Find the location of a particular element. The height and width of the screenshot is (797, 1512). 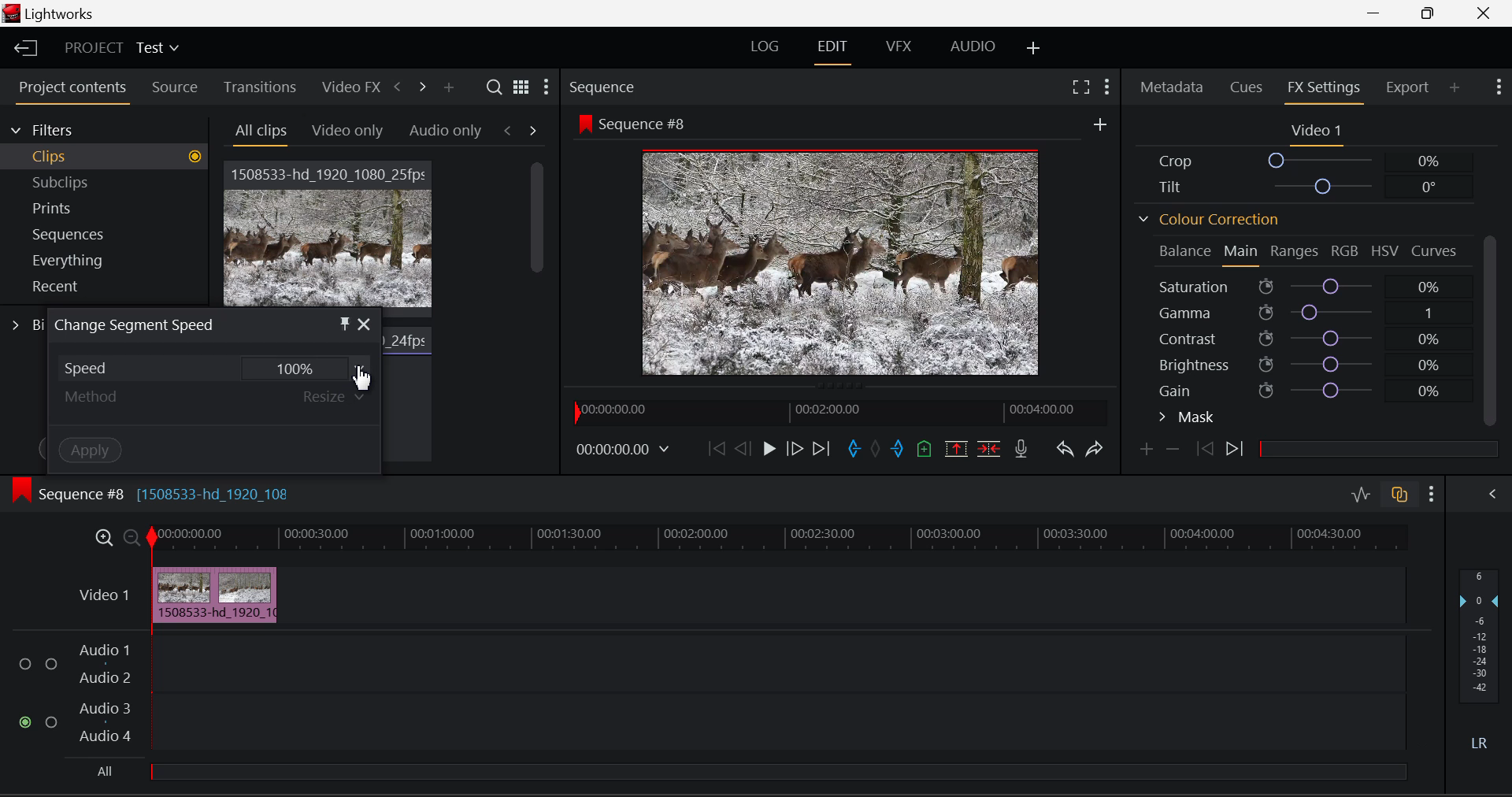

Video FX Tab is located at coordinates (351, 88).